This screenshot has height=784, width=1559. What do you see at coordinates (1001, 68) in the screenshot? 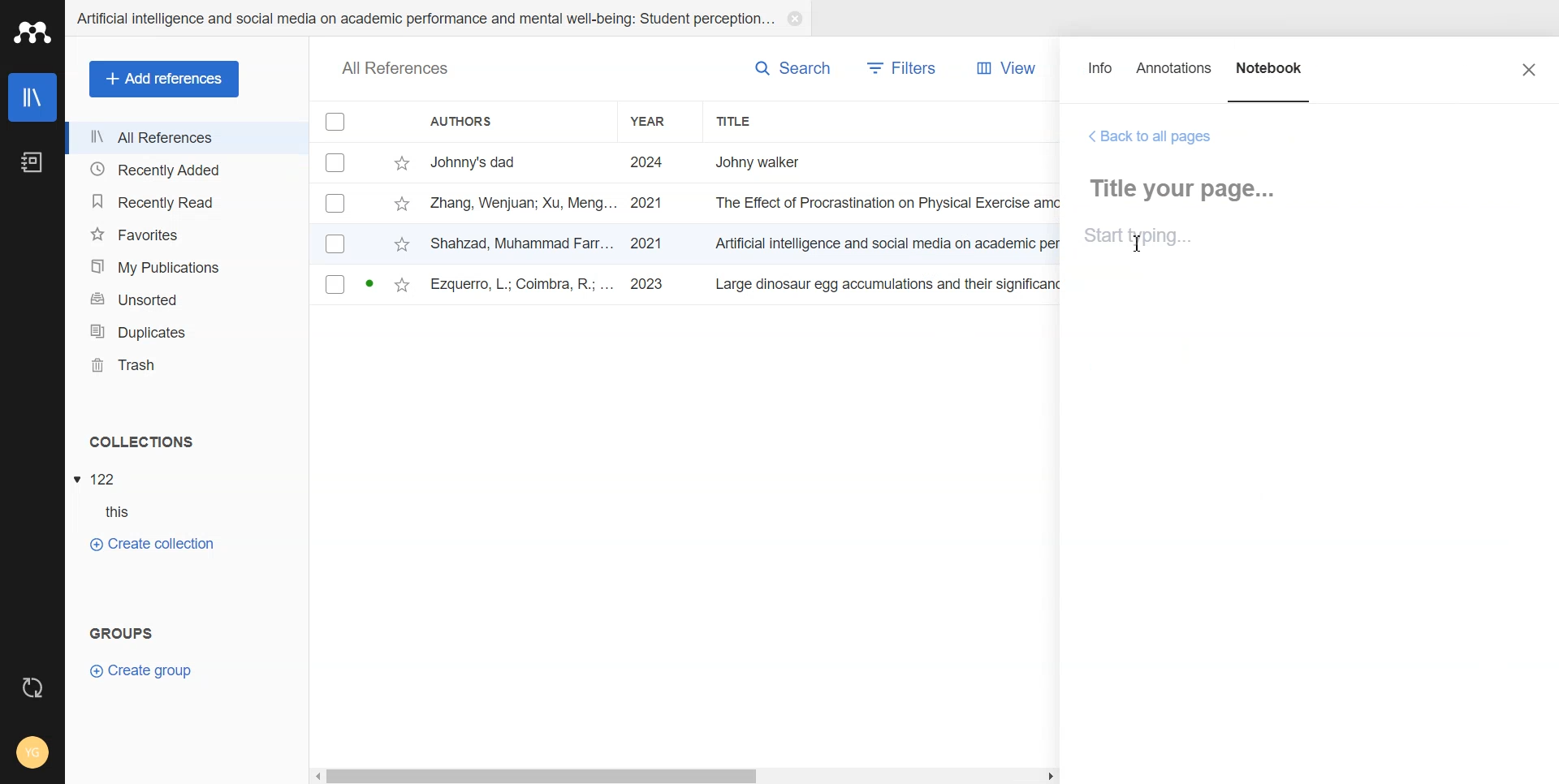
I see `View` at bounding box center [1001, 68].